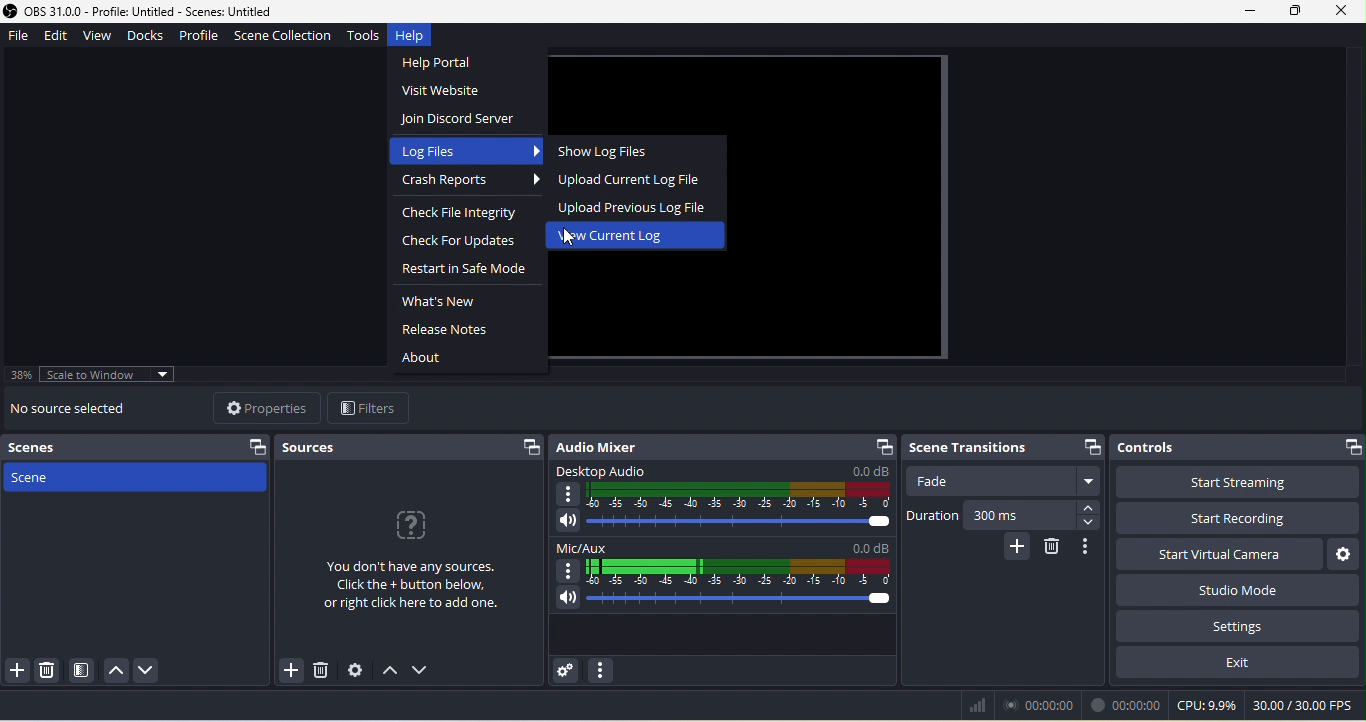 The width and height of the screenshot is (1366, 722). Describe the element at coordinates (154, 11) in the screenshot. I see `title` at that location.